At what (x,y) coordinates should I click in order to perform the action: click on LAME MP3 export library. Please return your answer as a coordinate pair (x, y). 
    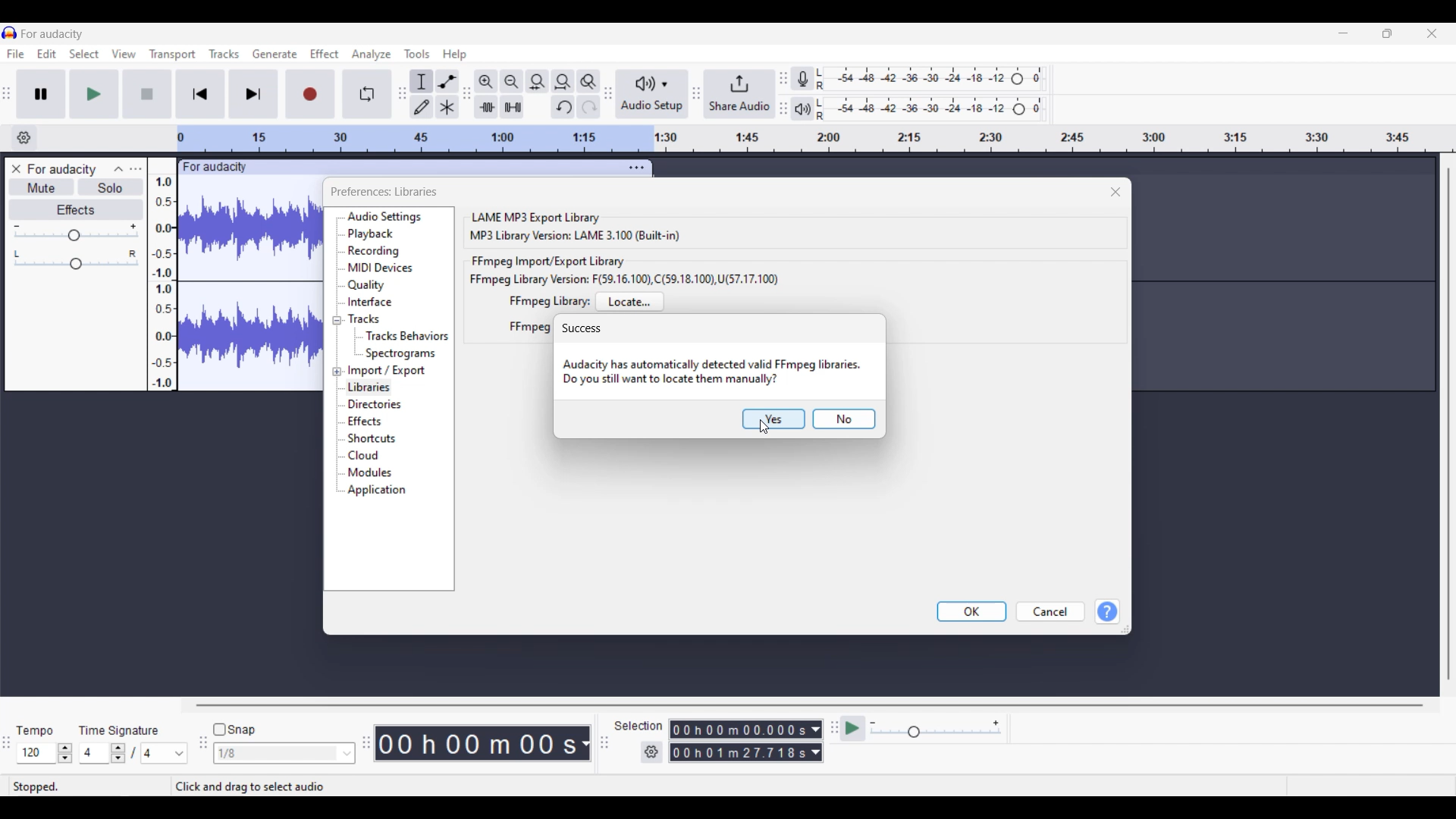
    Looking at the image, I should click on (535, 216).